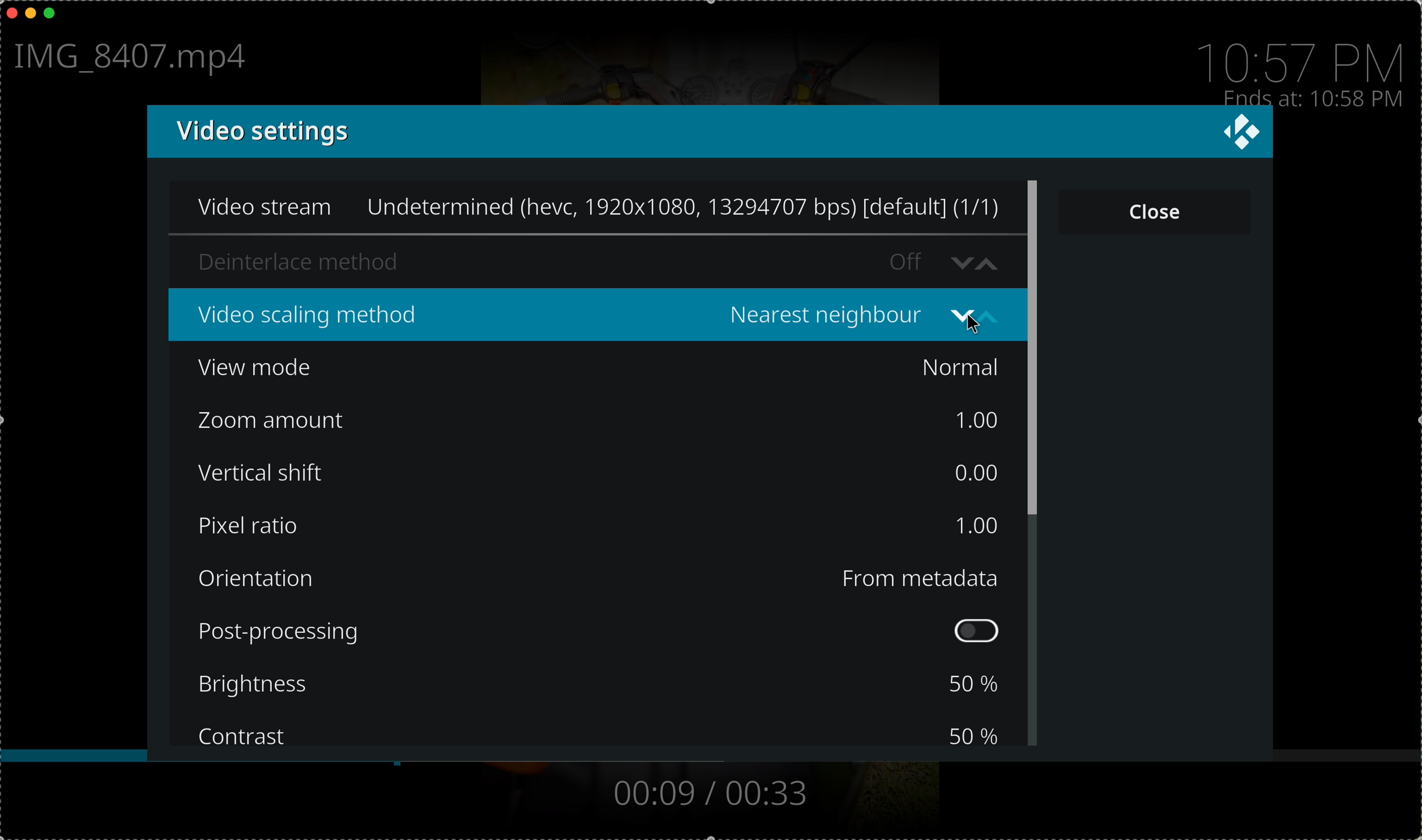  Describe the element at coordinates (9, 12) in the screenshot. I see `close ` at that location.